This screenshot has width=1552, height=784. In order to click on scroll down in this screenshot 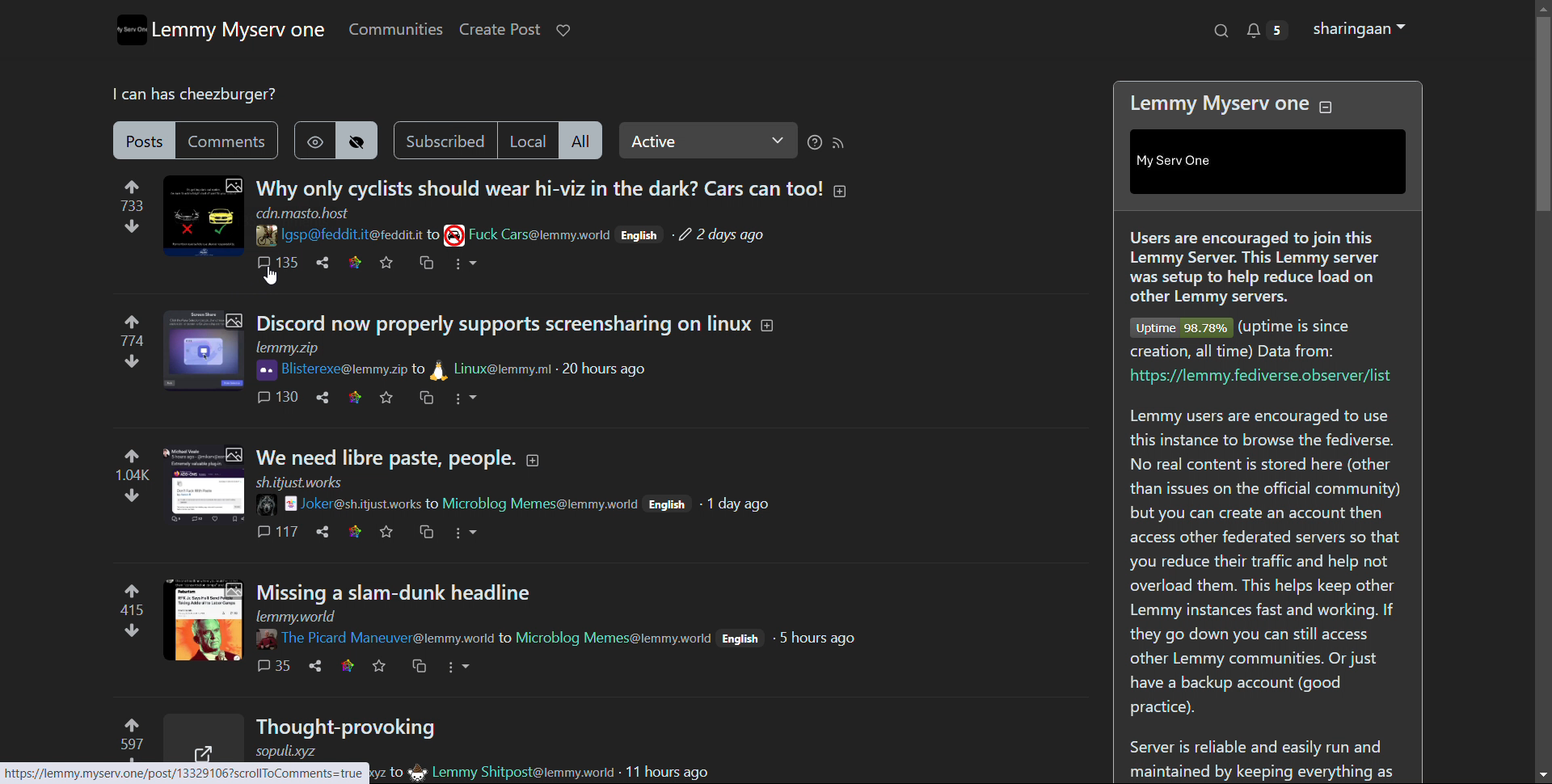, I will do `click(1542, 775)`.